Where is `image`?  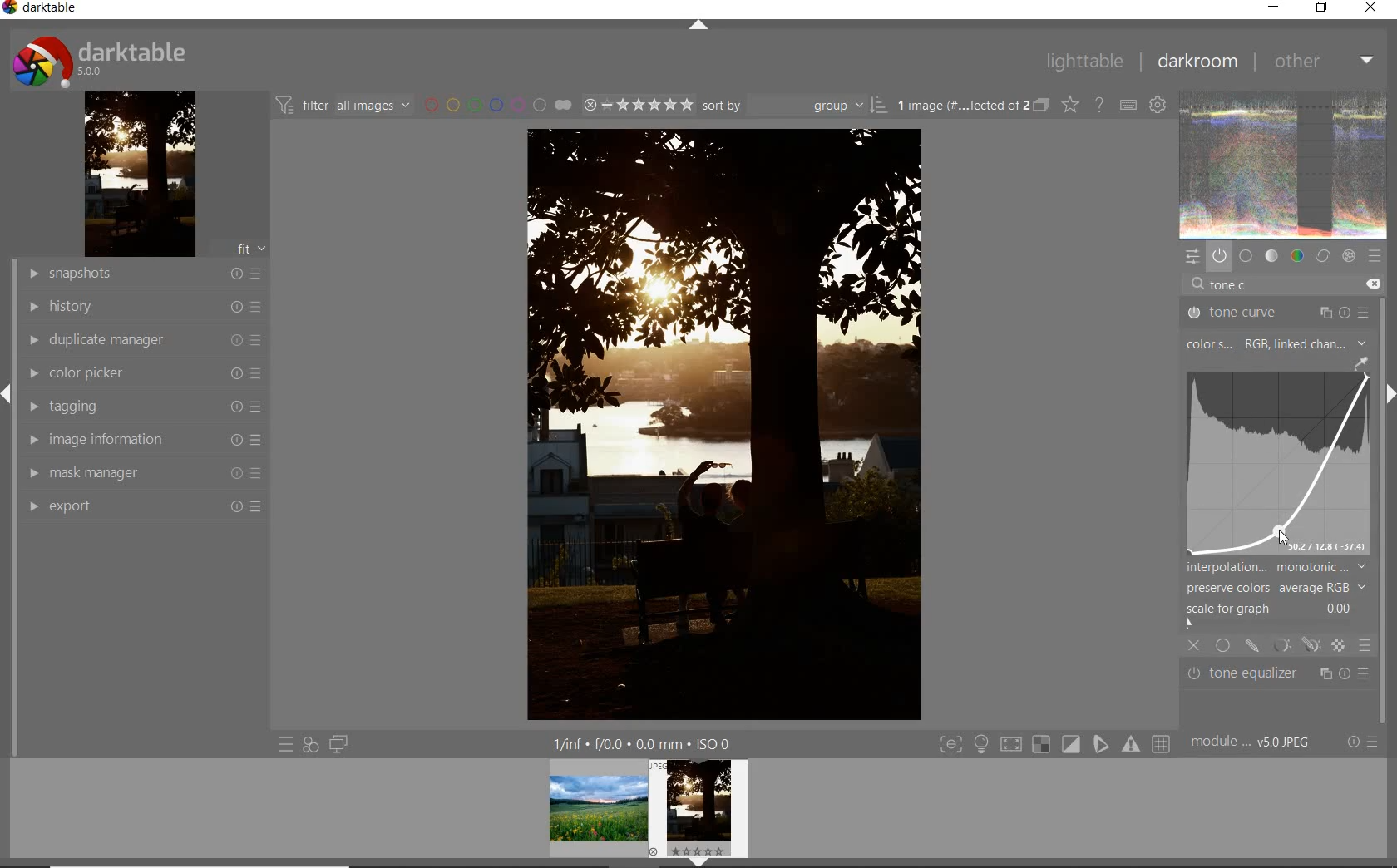
image is located at coordinates (140, 174).